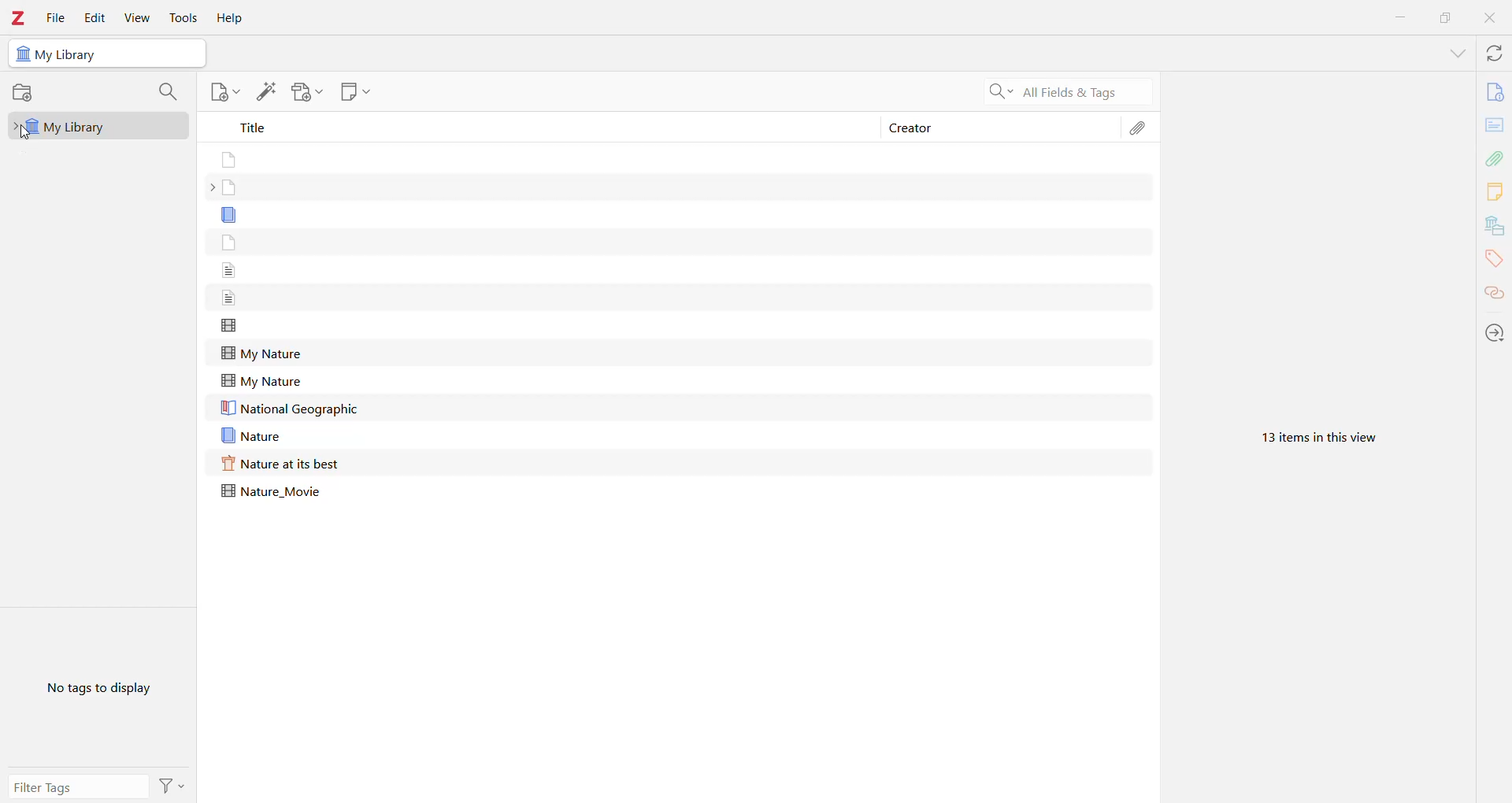  Describe the element at coordinates (236, 298) in the screenshot. I see `Without title file` at that location.